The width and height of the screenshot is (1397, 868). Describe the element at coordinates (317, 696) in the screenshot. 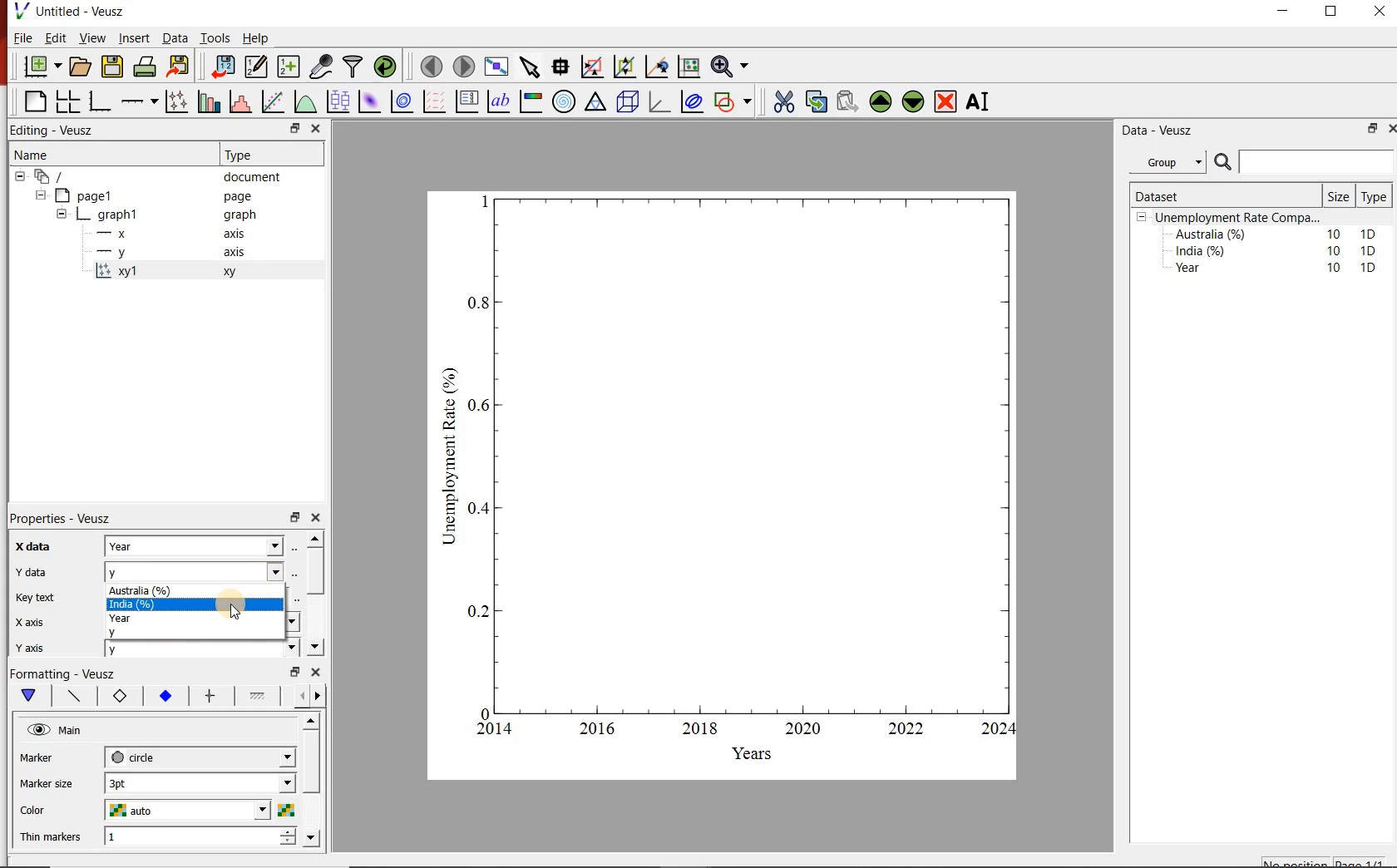

I see `move right` at that location.